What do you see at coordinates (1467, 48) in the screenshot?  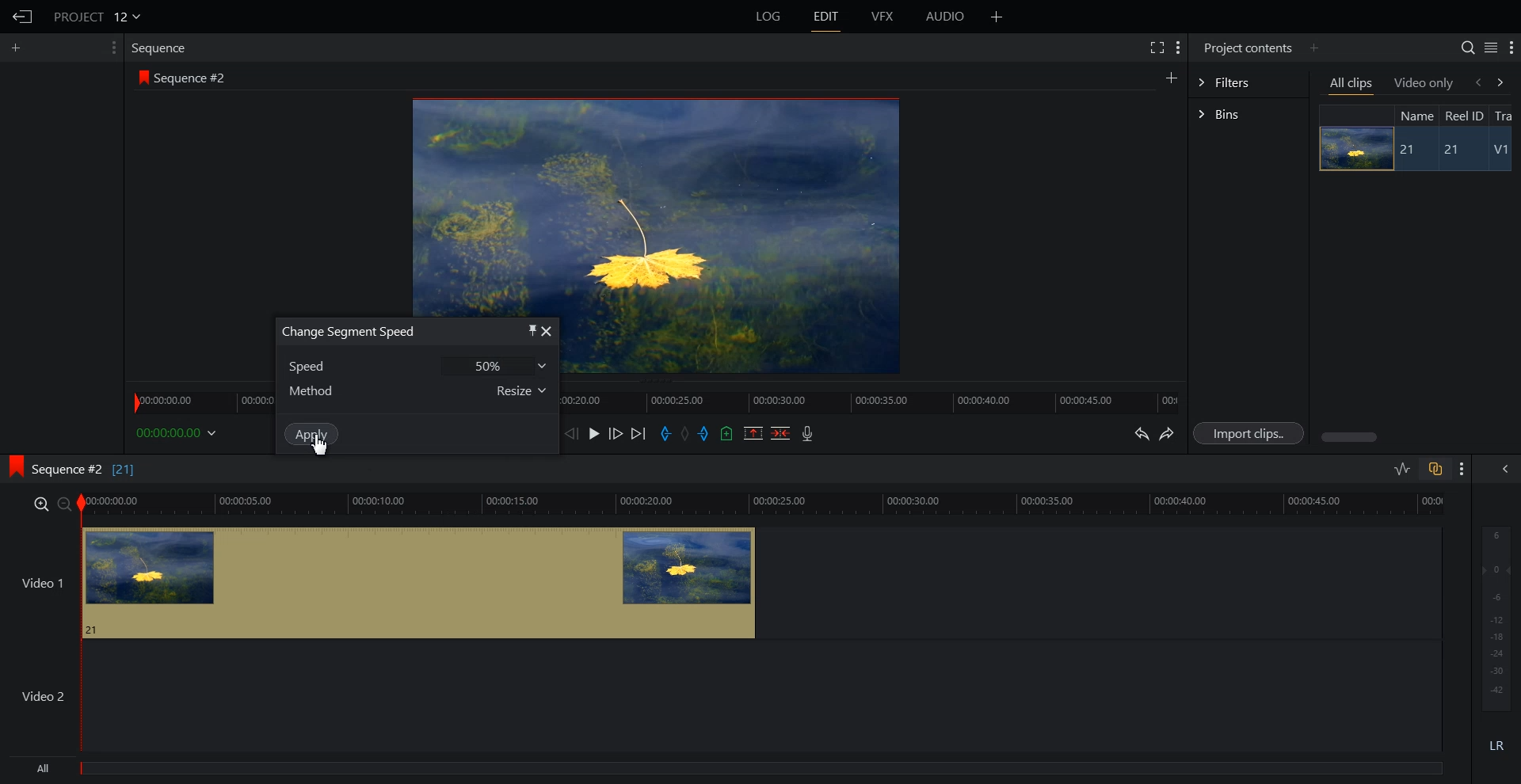 I see `Search` at bounding box center [1467, 48].